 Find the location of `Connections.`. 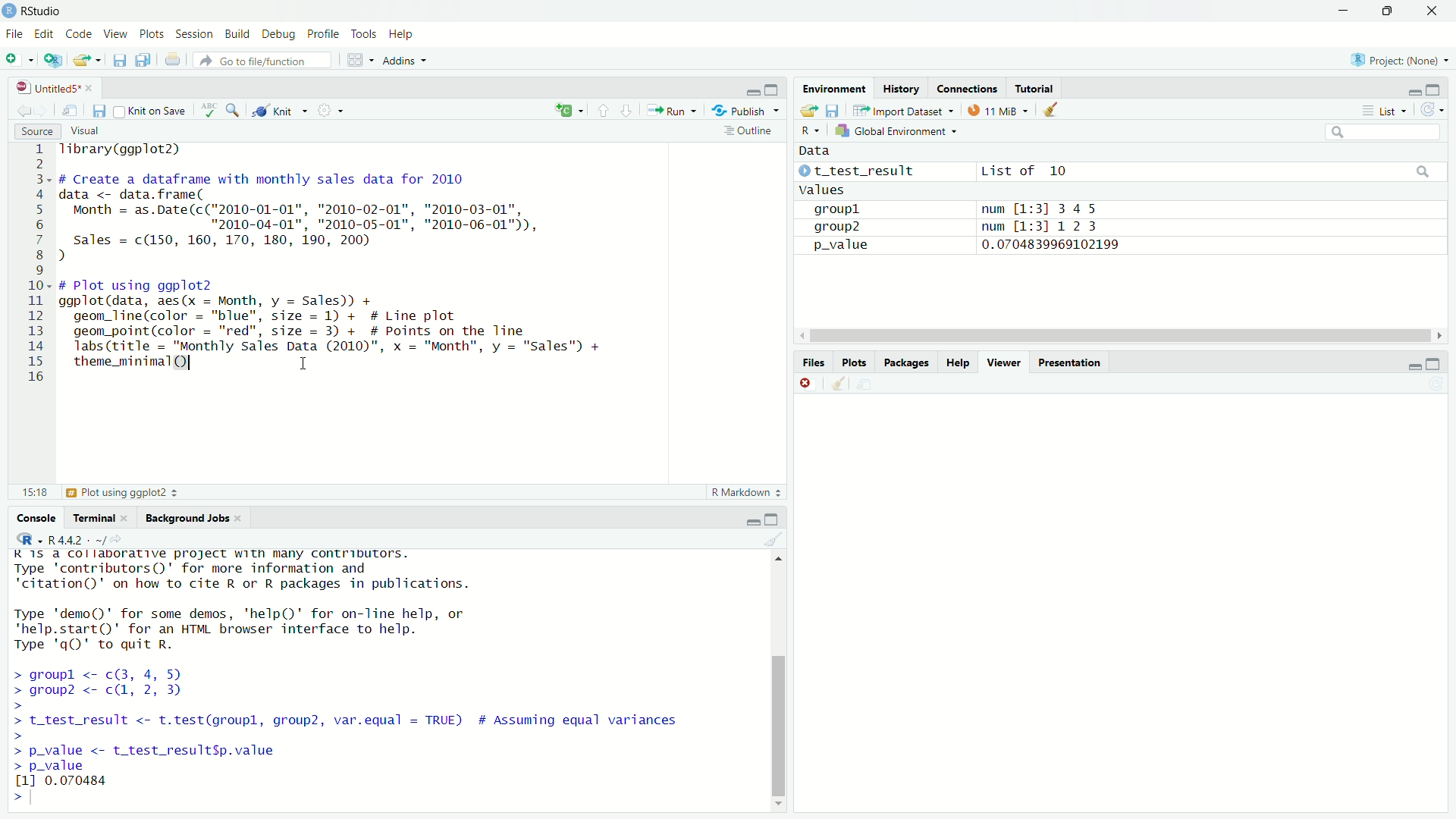

Connections. is located at coordinates (967, 88).